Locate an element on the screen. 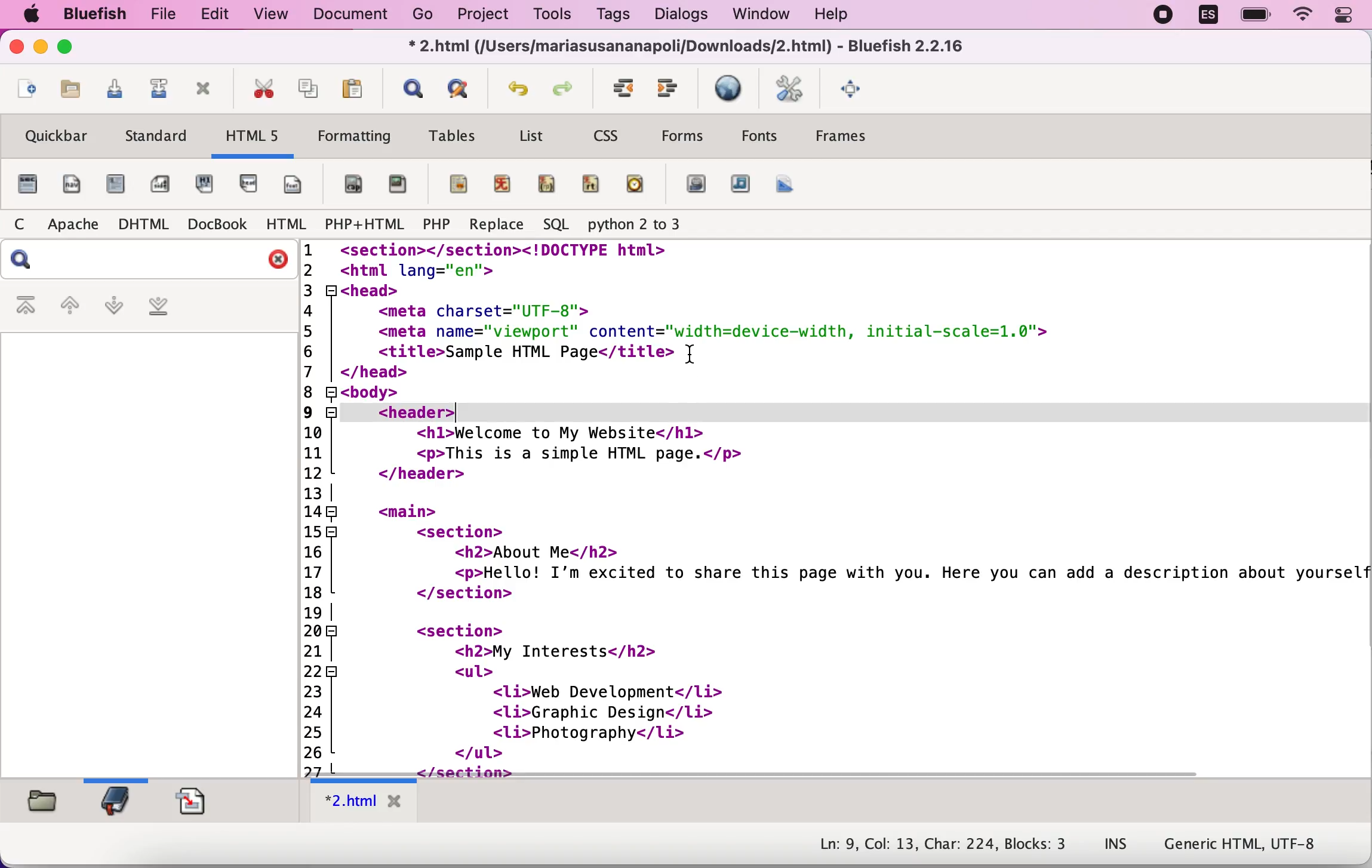 This screenshot has width=1372, height=868. frames is located at coordinates (842, 141).